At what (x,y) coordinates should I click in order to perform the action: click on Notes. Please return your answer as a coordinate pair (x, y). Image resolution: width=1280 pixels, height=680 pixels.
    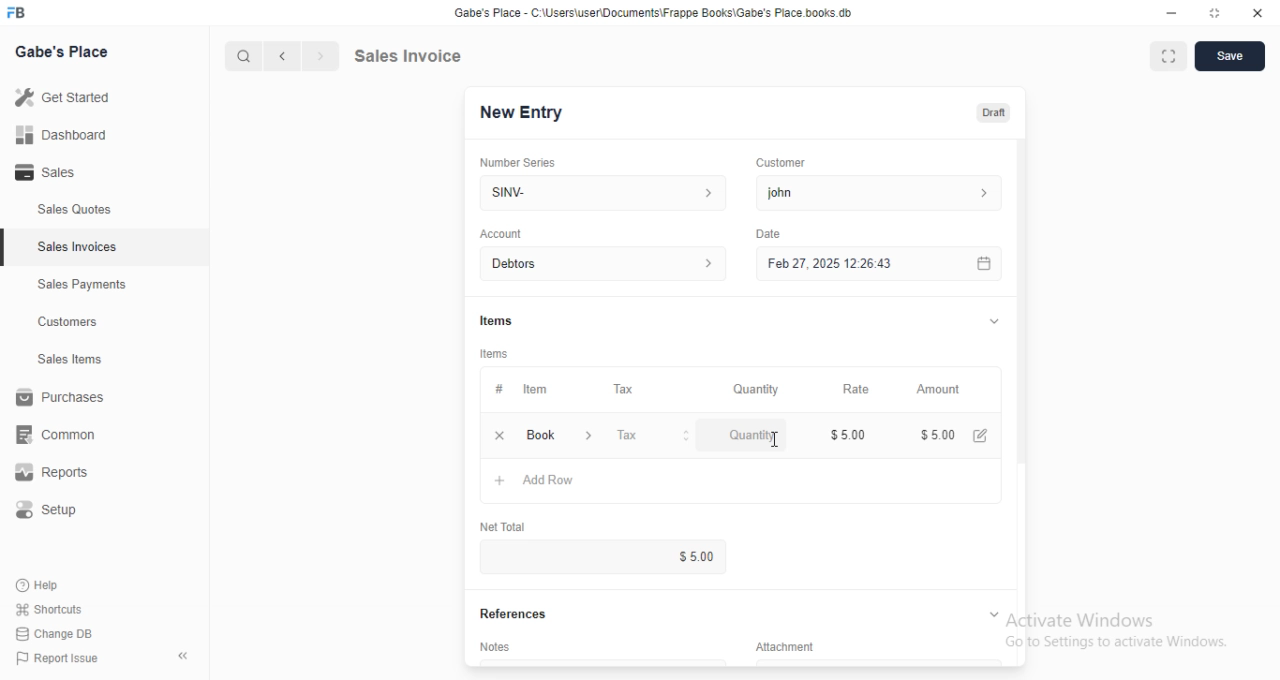
    Looking at the image, I should click on (494, 645).